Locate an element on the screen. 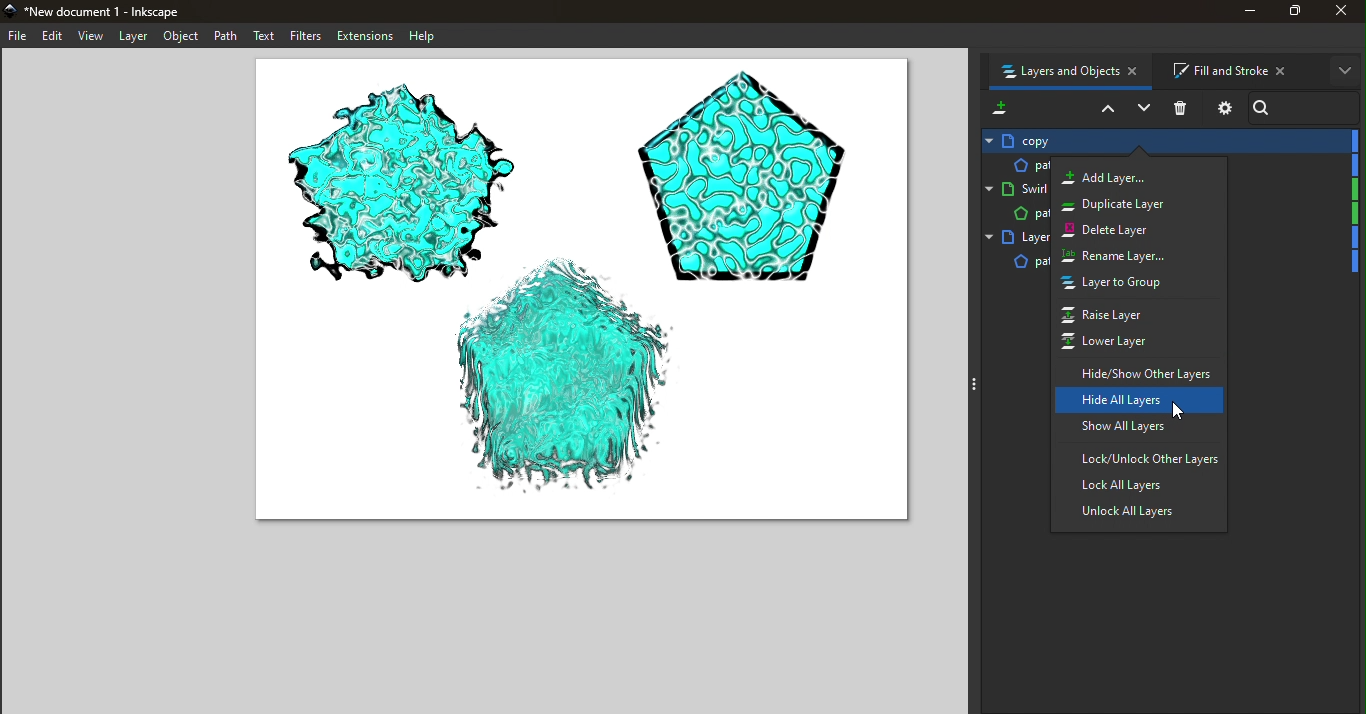 The height and width of the screenshot is (714, 1366). Canvas is located at coordinates (579, 293).